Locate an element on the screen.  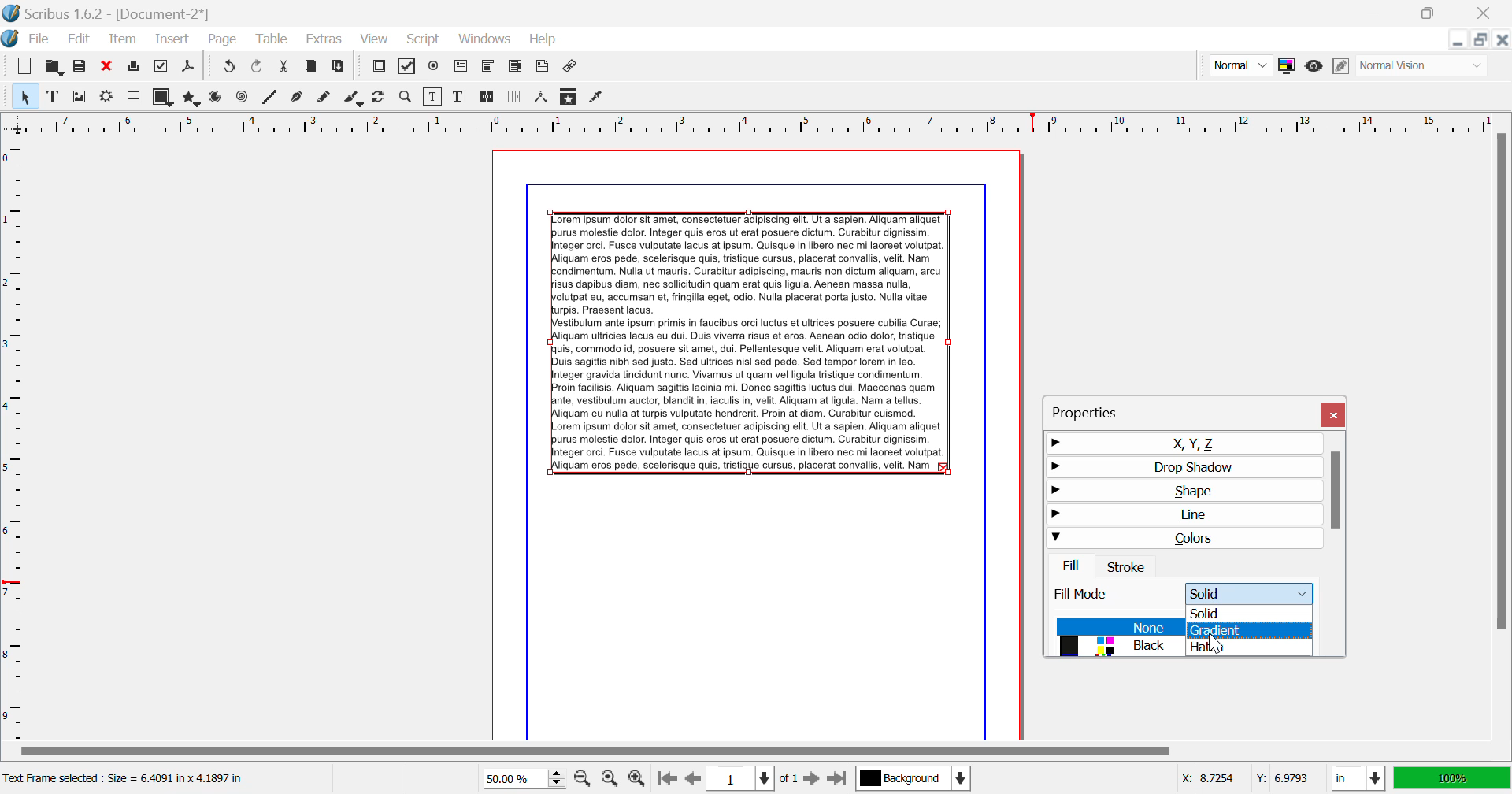
Item is located at coordinates (124, 39).